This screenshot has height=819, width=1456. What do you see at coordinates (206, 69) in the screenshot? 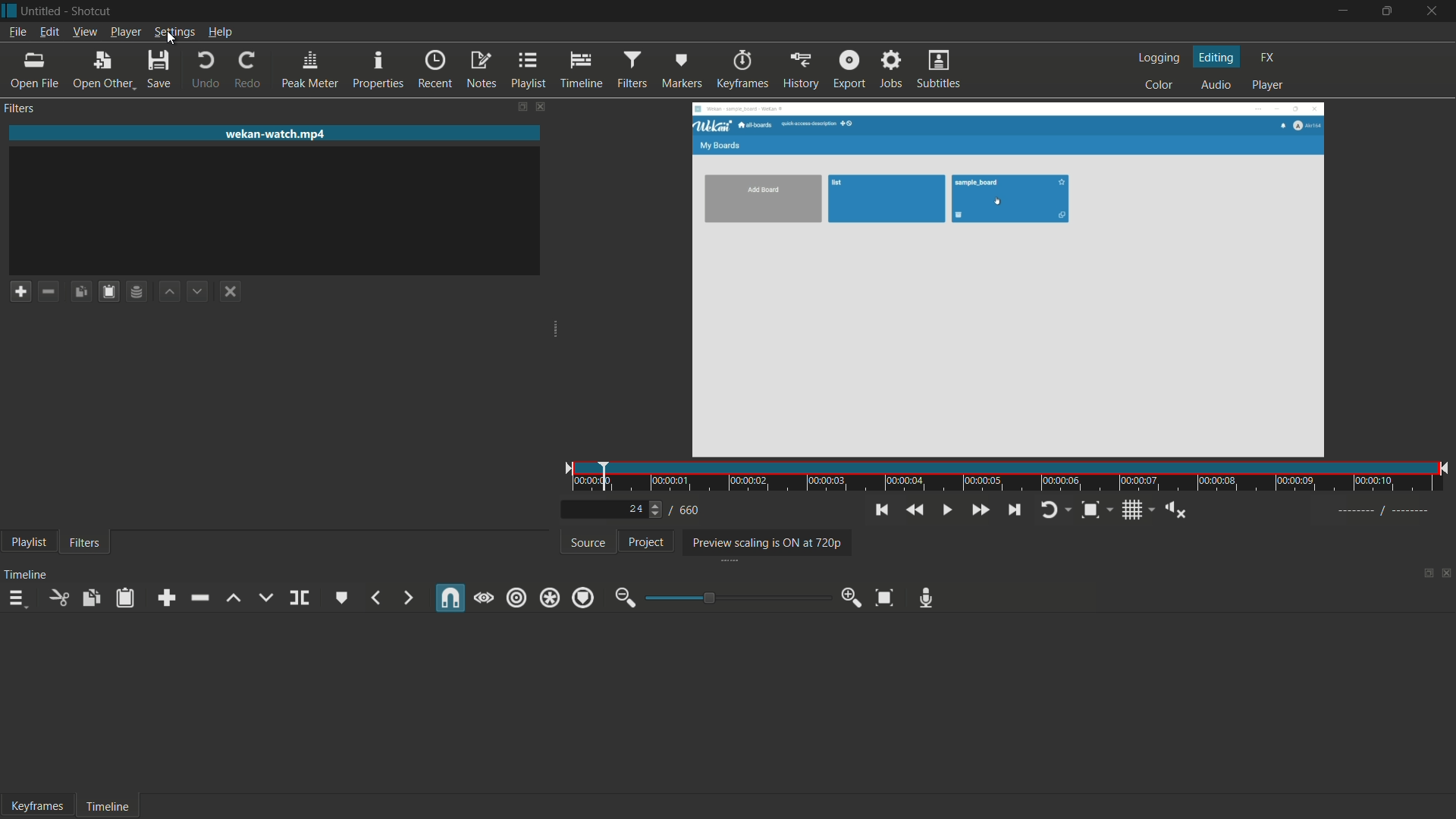
I see `undo` at bounding box center [206, 69].